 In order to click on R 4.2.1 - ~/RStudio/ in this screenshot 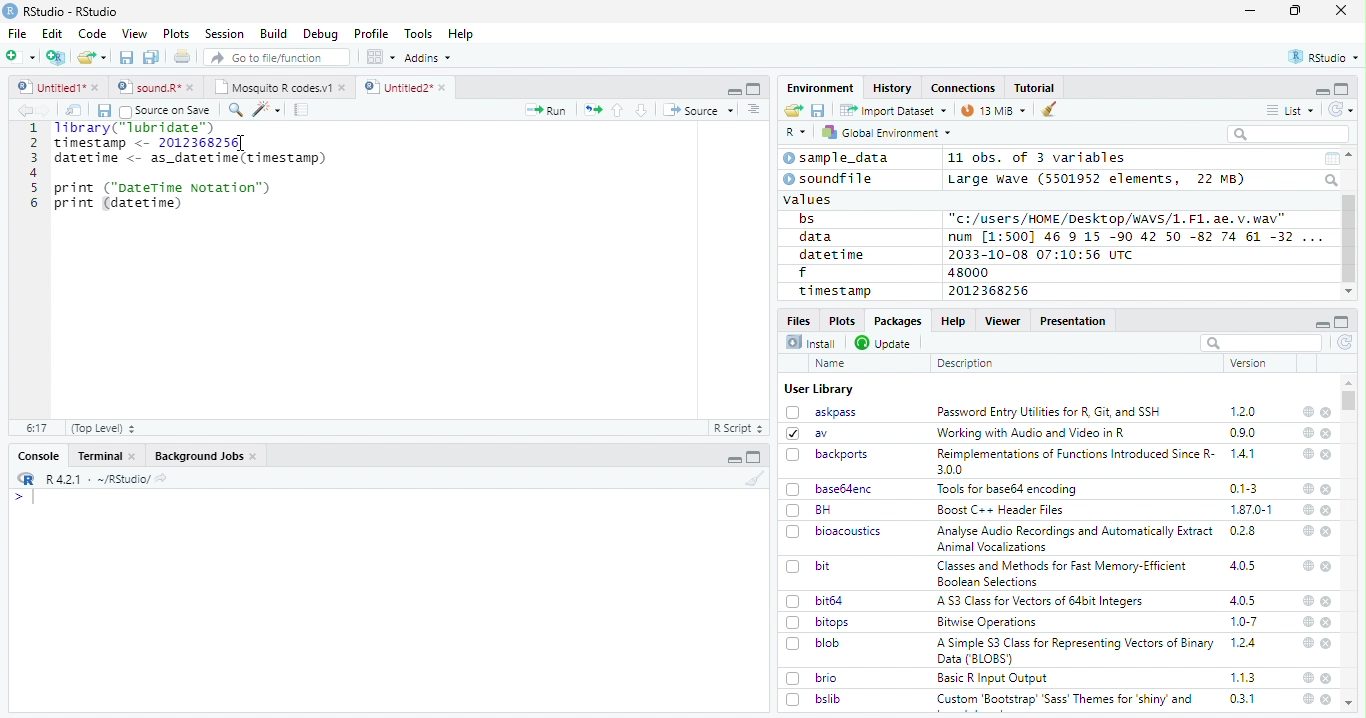, I will do `click(95, 479)`.